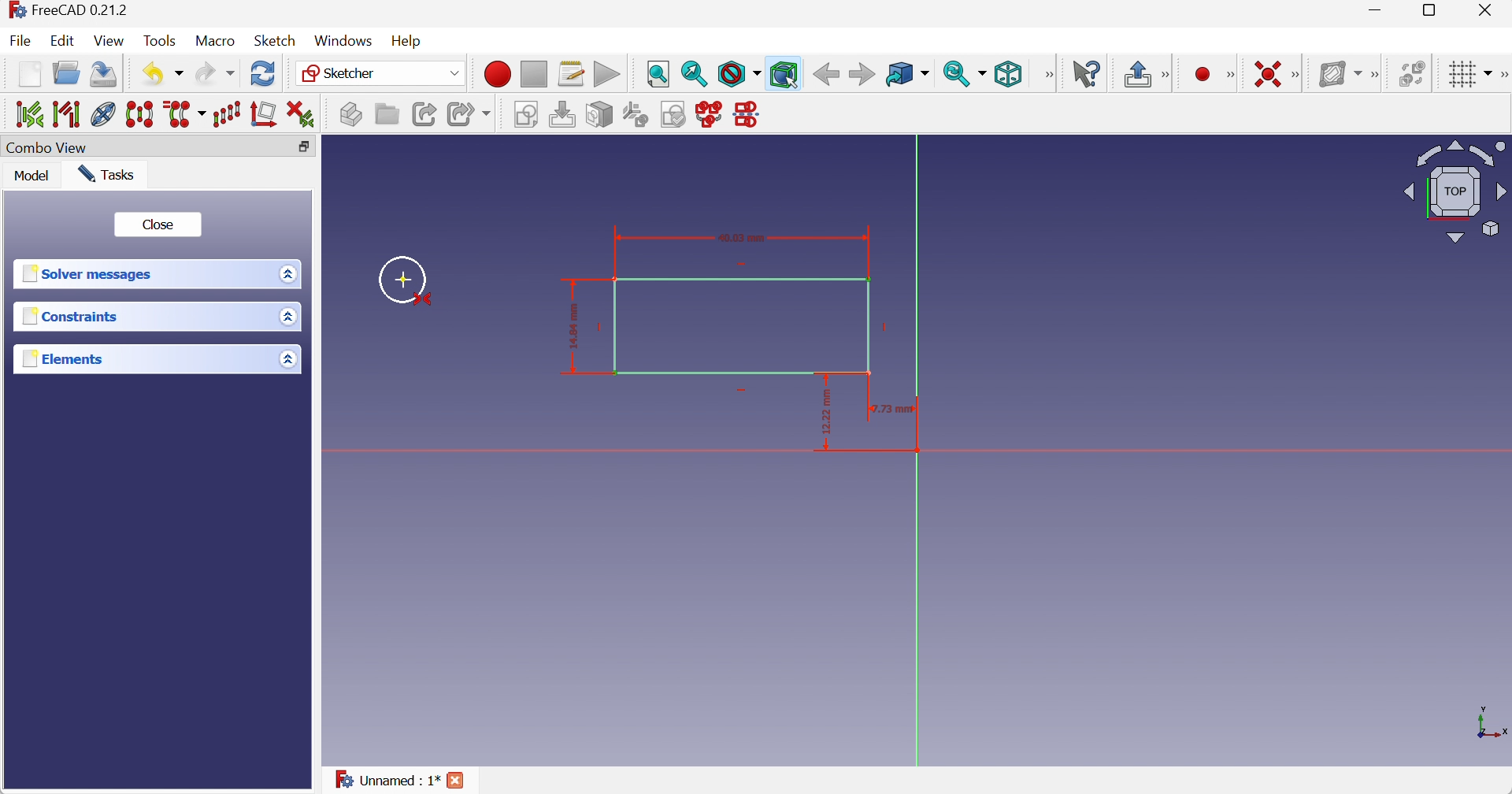  Describe the element at coordinates (907, 75) in the screenshot. I see `Go to linked object` at that location.